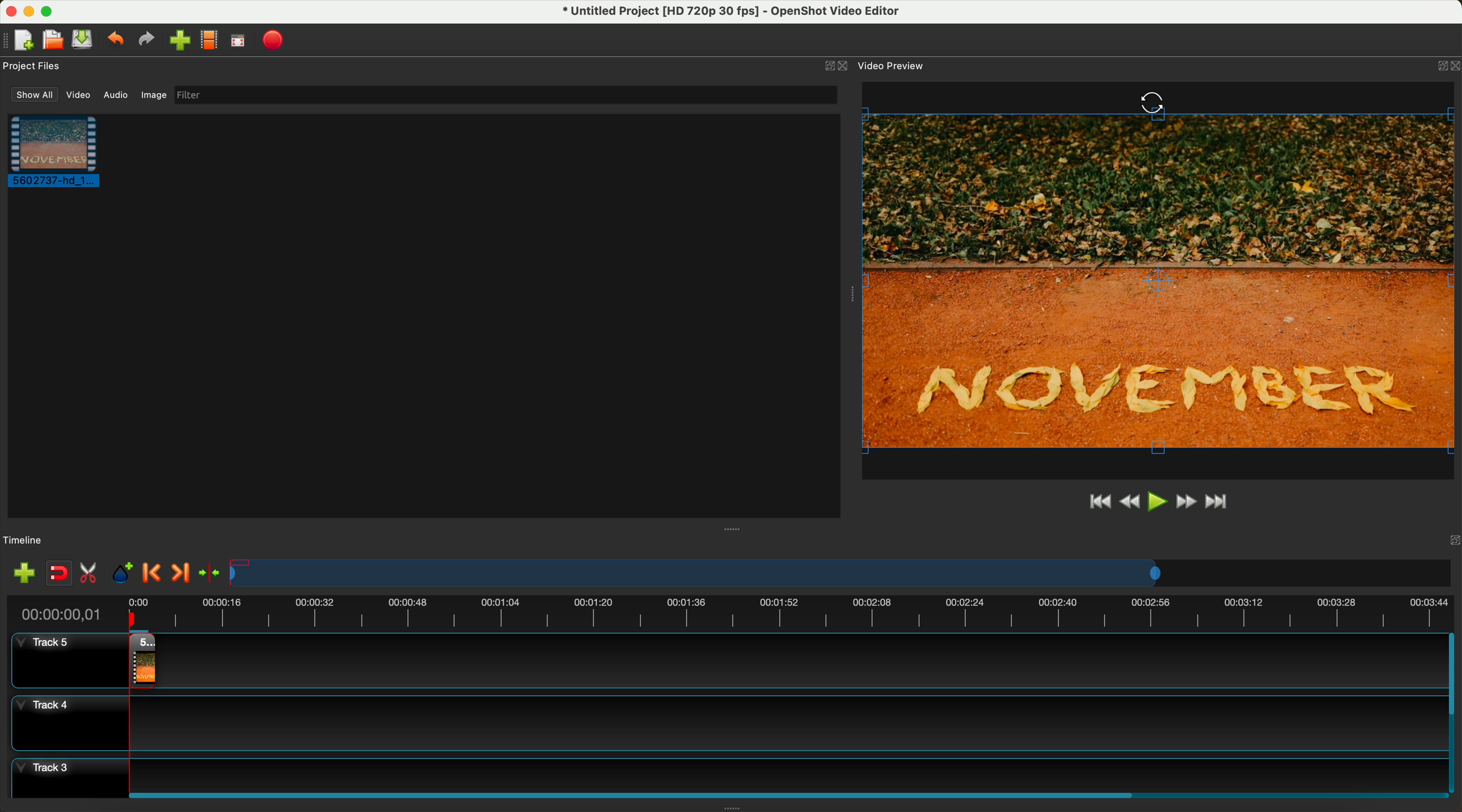 Image resolution: width=1462 pixels, height=812 pixels. I want to click on scrollbar, so click(1453, 711).